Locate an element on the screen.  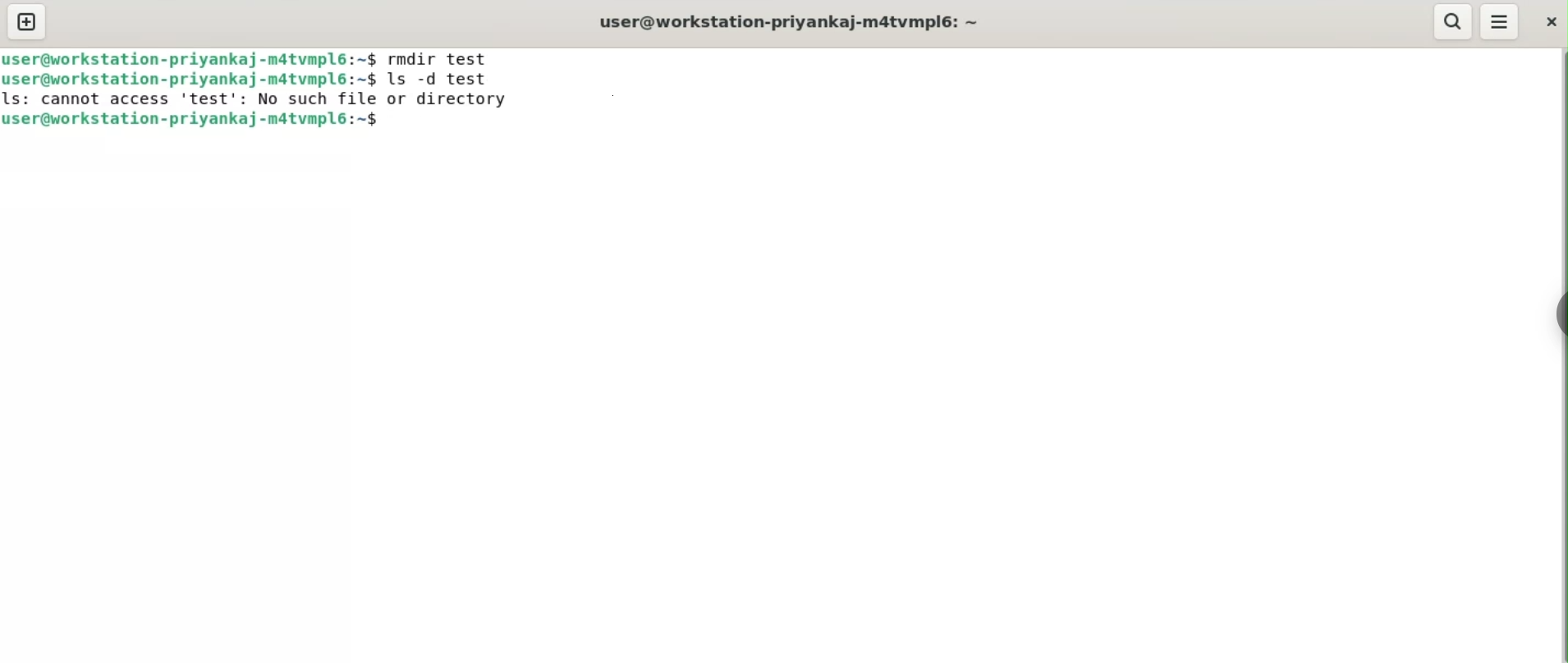
rmdir test is located at coordinates (447, 59).